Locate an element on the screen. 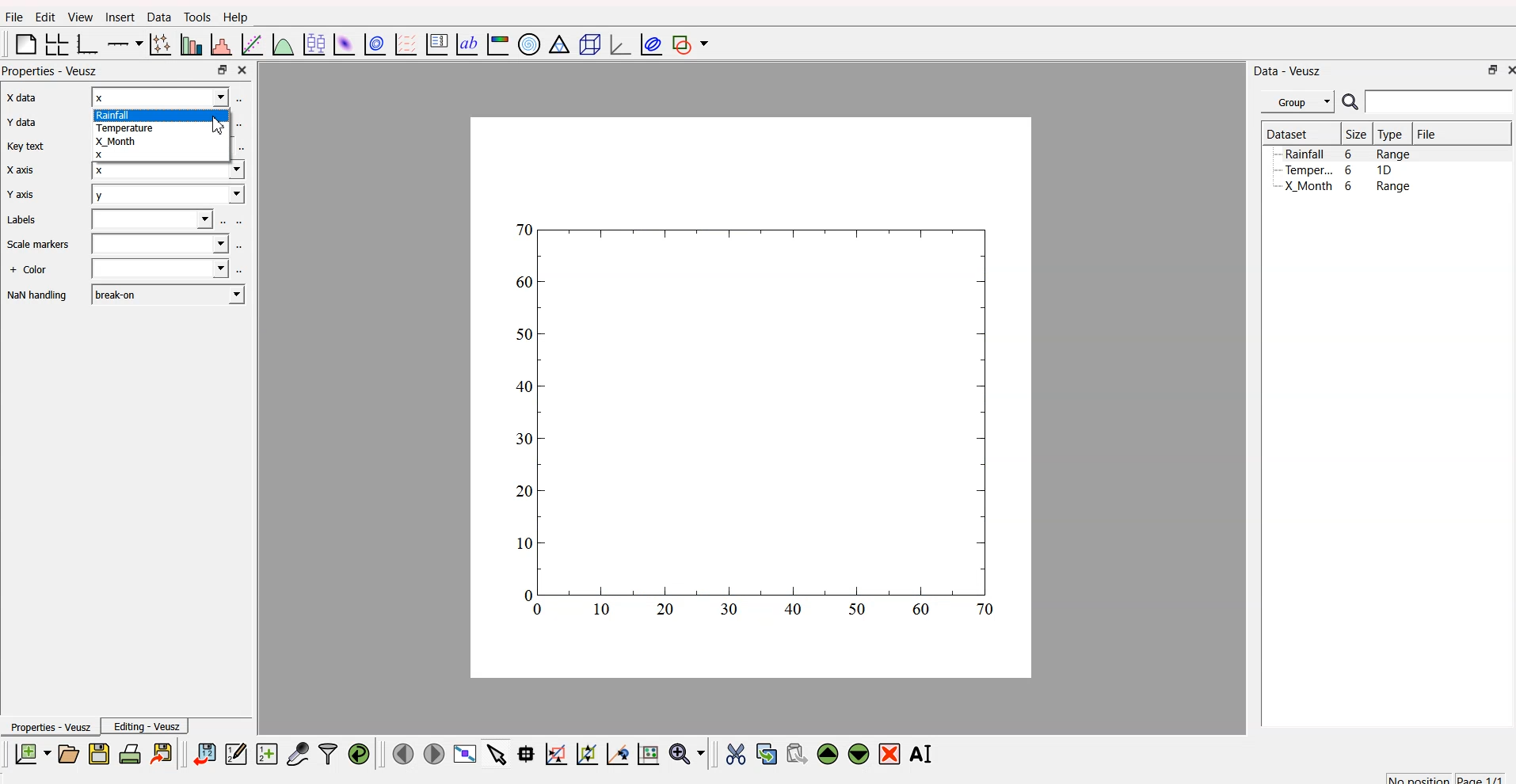  plot covariance ellipses is located at coordinates (648, 44).